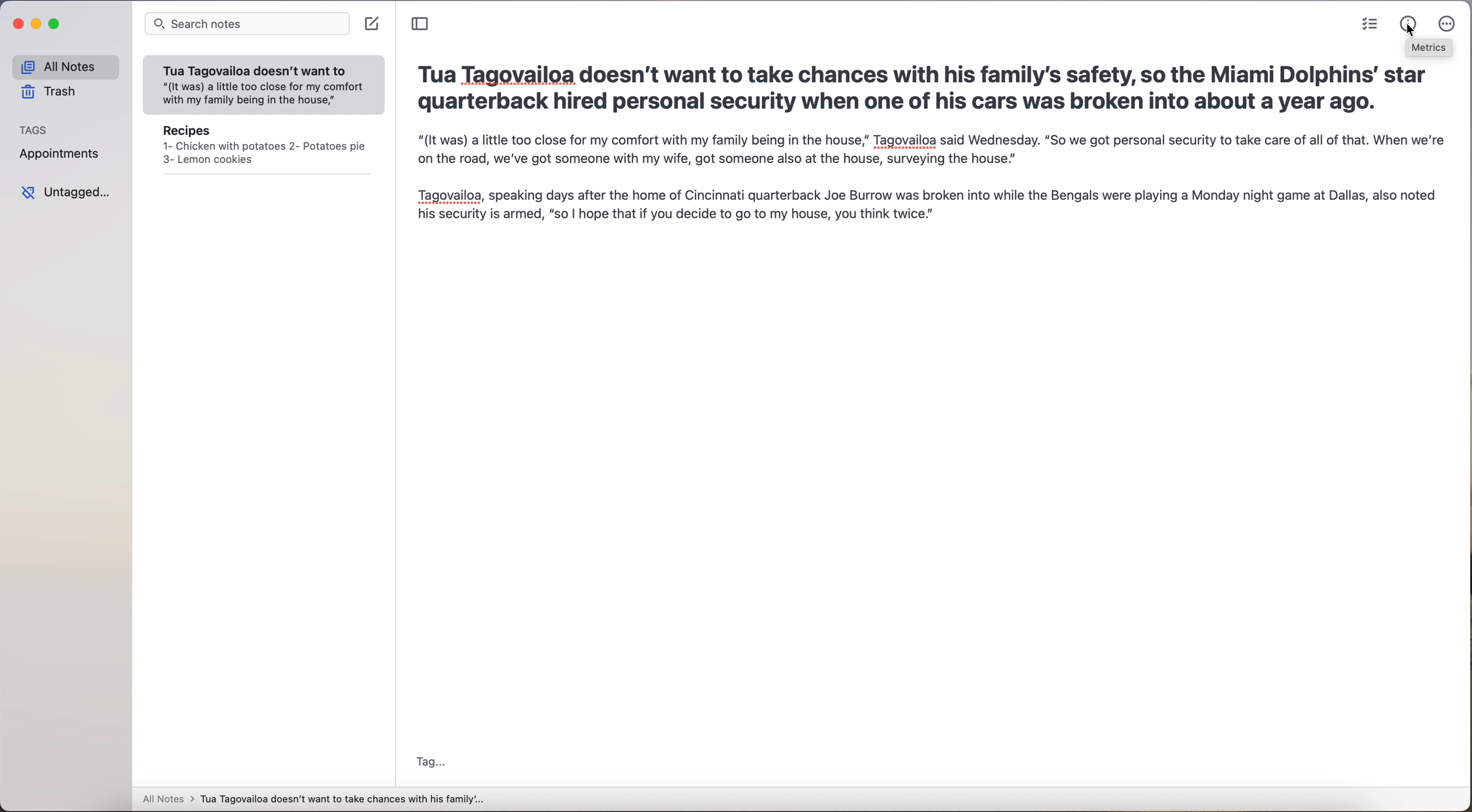  What do you see at coordinates (373, 24) in the screenshot?
I see `create note` at bounding box center [373, 24].